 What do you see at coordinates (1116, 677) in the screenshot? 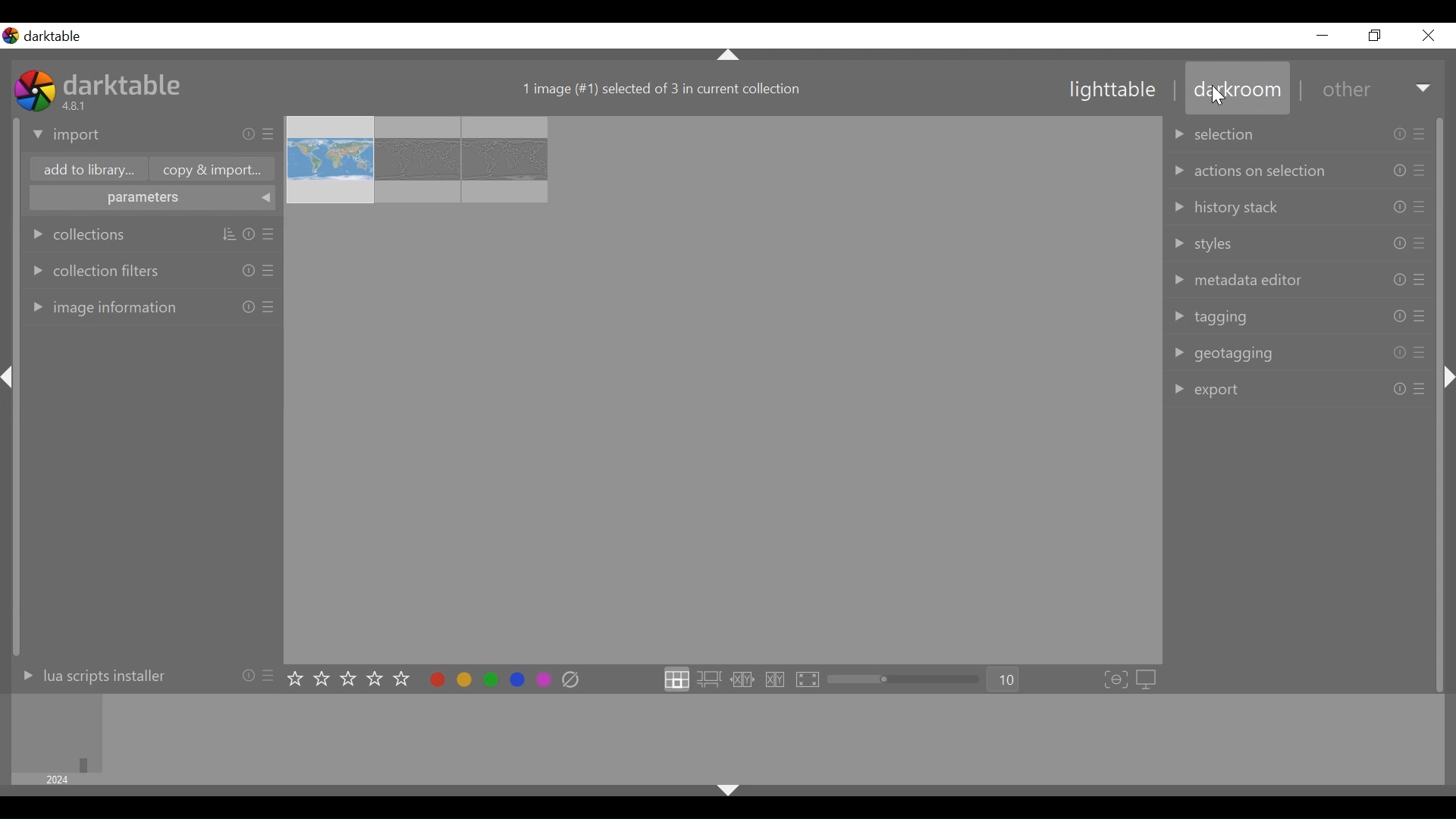
I see `toggle focus-peaking mode` at bounding box center [1116, 677].